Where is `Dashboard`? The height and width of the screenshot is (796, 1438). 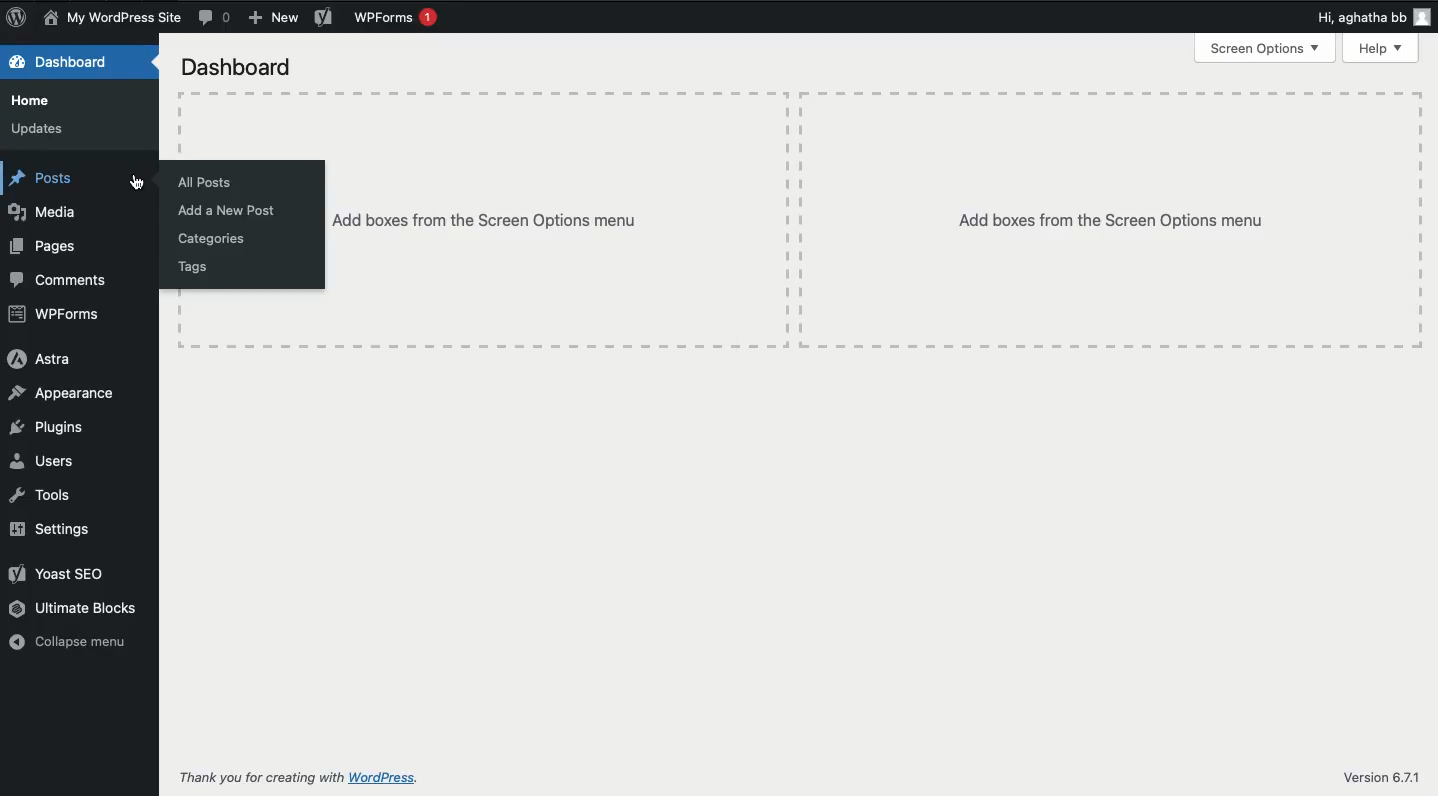
Dashboard is located at coordinates (69, 63).